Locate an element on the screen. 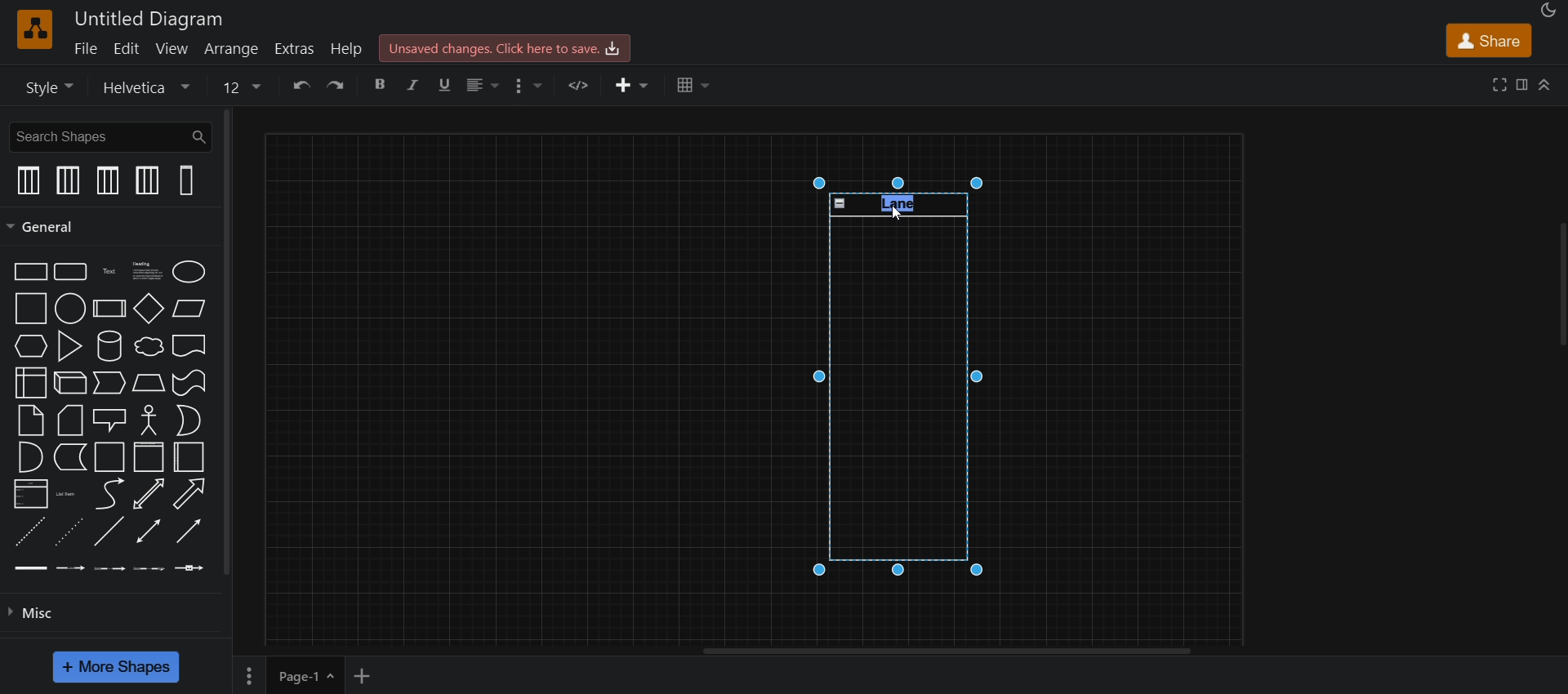  process is located at coordinates (110, 309).